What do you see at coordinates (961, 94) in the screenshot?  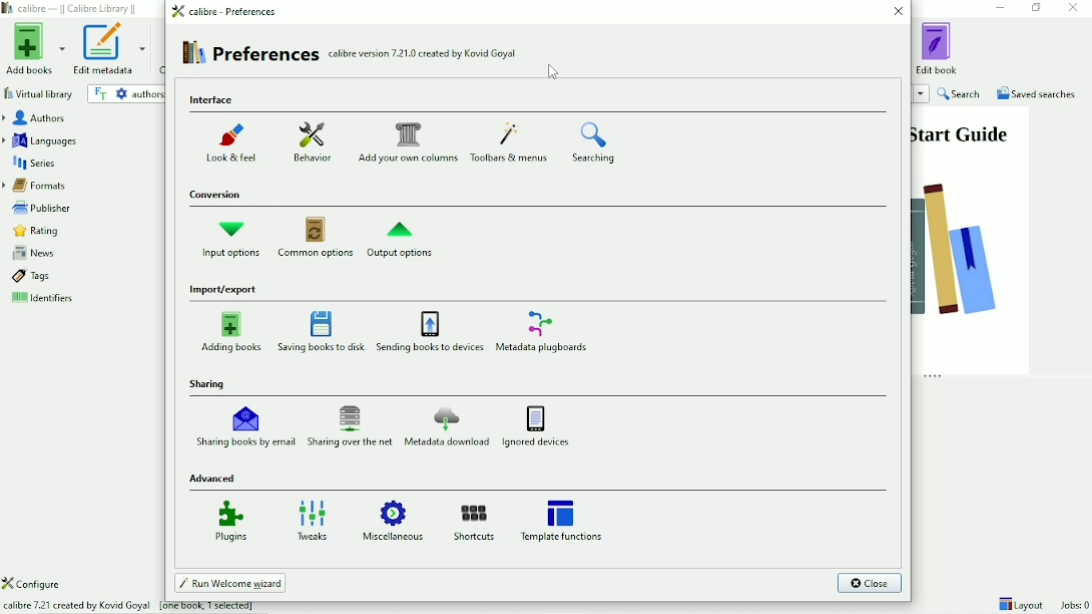 I see `Search` at bounding box center [961, 94].